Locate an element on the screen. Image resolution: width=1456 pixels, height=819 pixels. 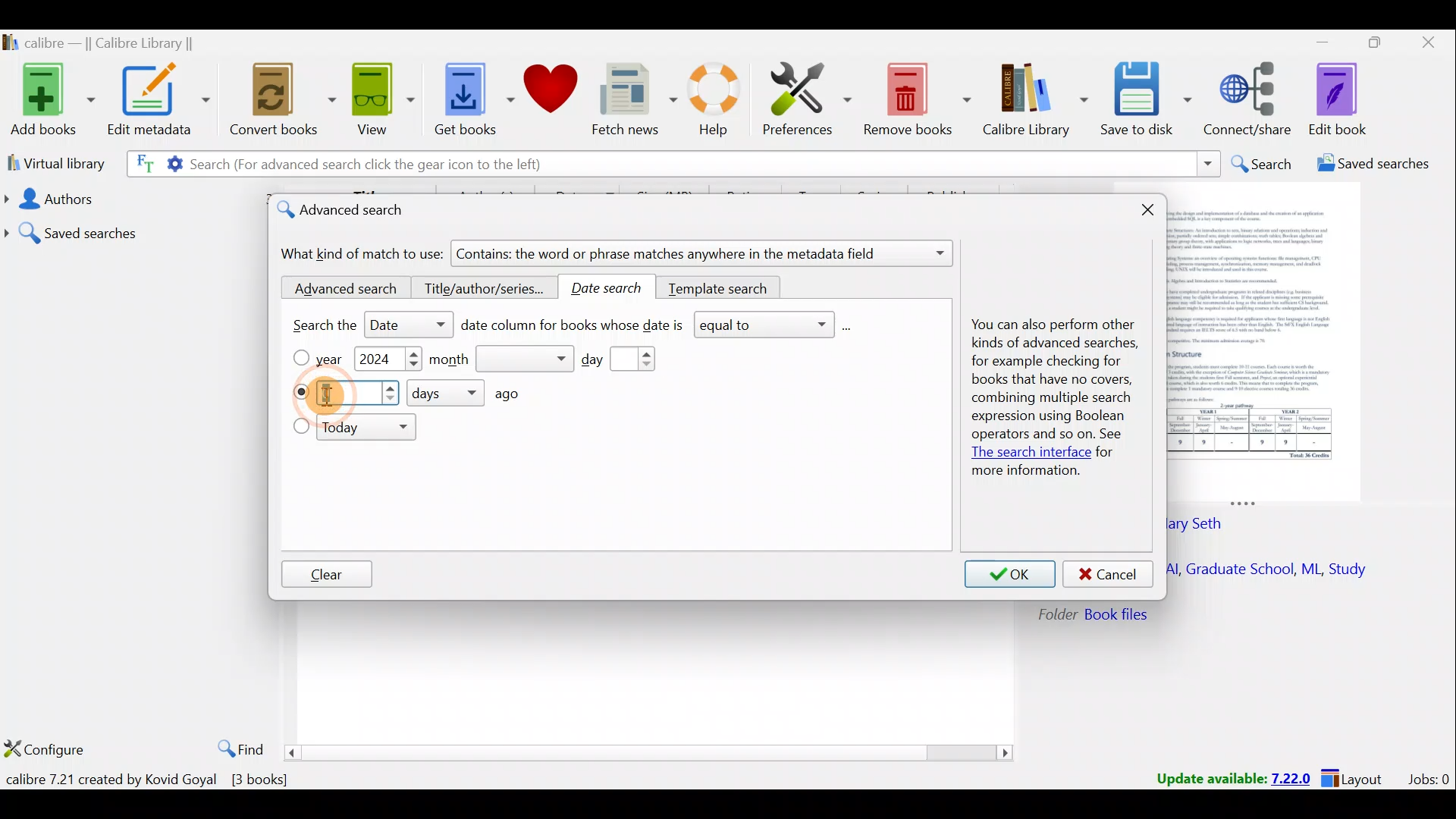
Edit metadata is located at coordinates (162, 102).